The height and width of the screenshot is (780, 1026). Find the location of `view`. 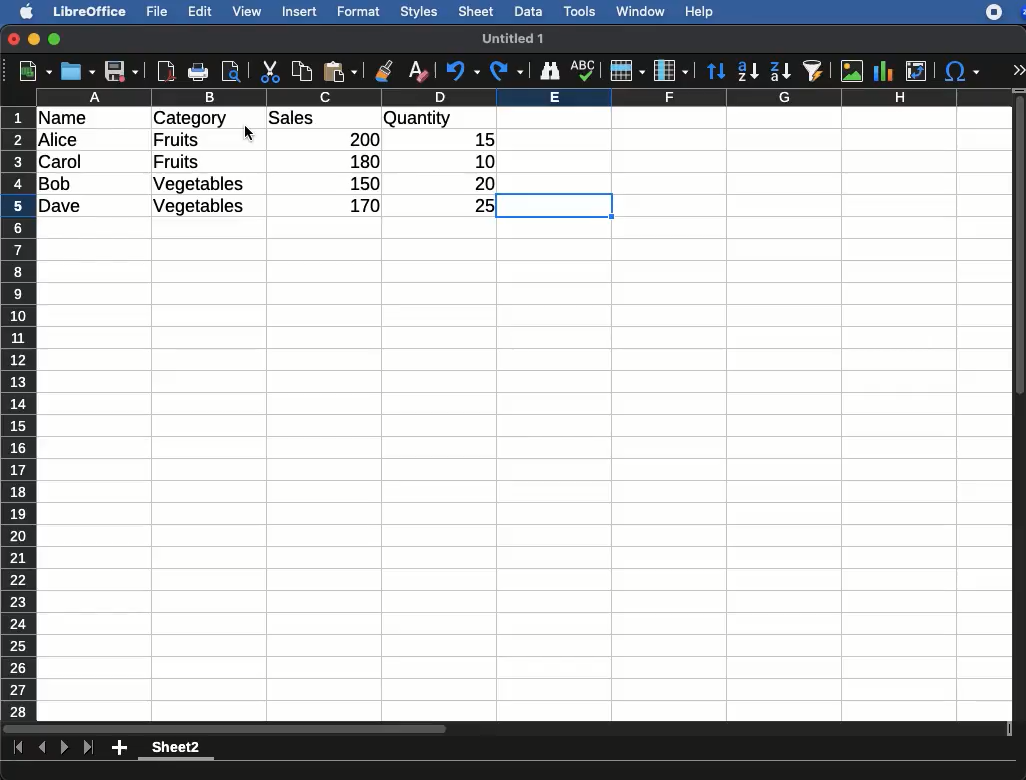

view is located at coordinates (247, 11).